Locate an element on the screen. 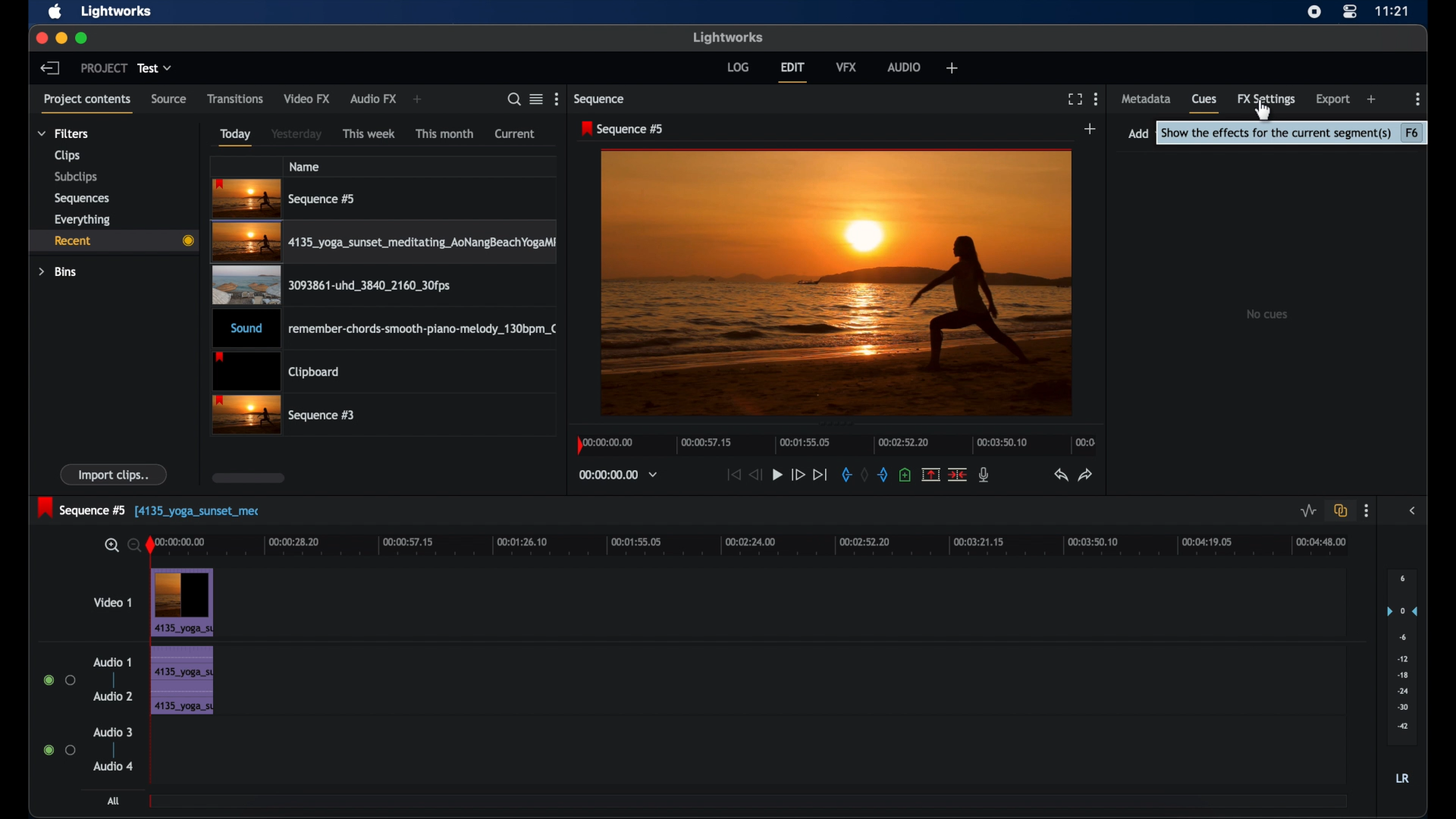  today is located at coordinates (235, 137).